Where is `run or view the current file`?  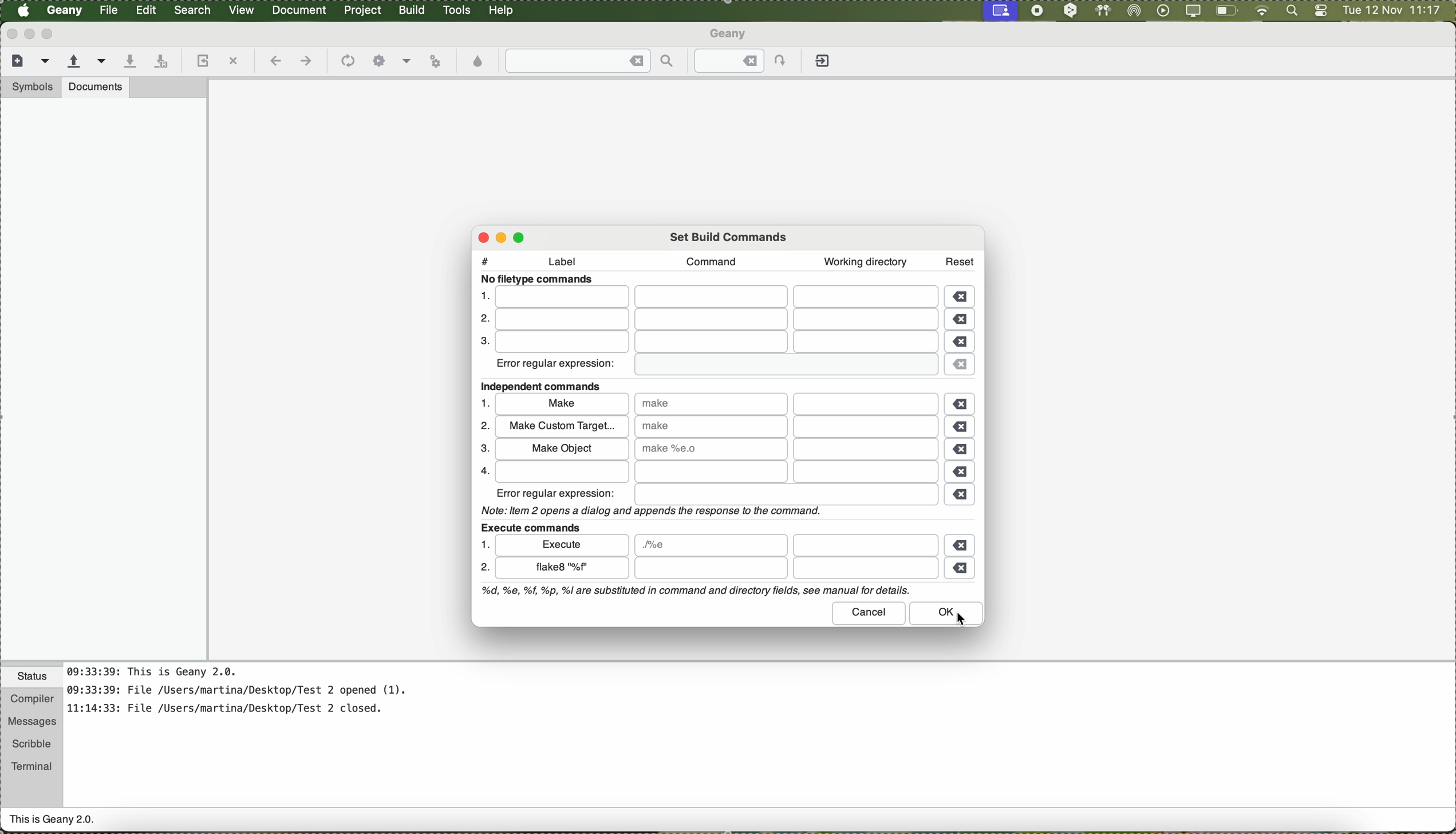 run or view the current file is located at coordinates (435, 60).